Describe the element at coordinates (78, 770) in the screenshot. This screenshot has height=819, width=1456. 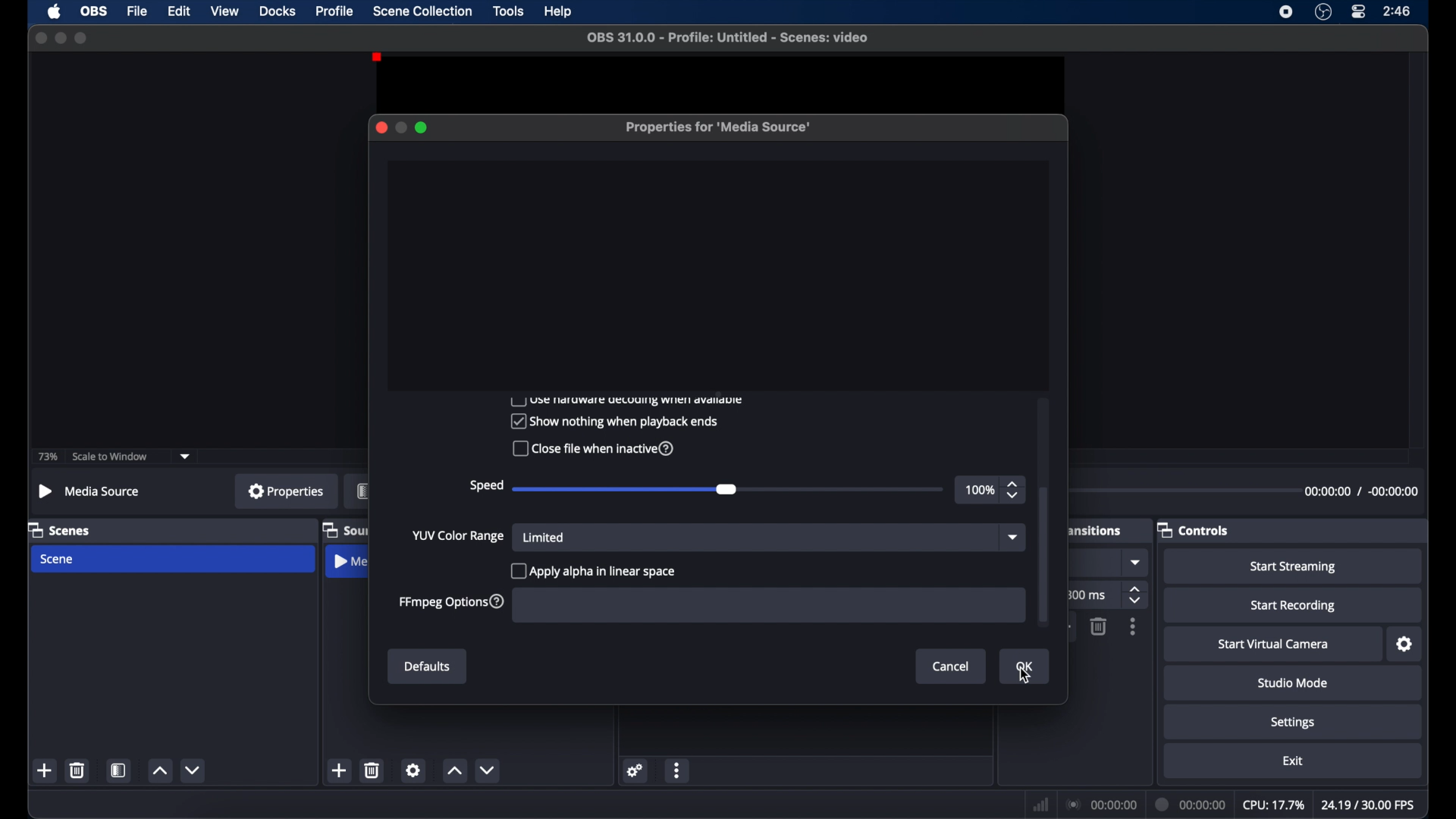
I see `delete` at that location.